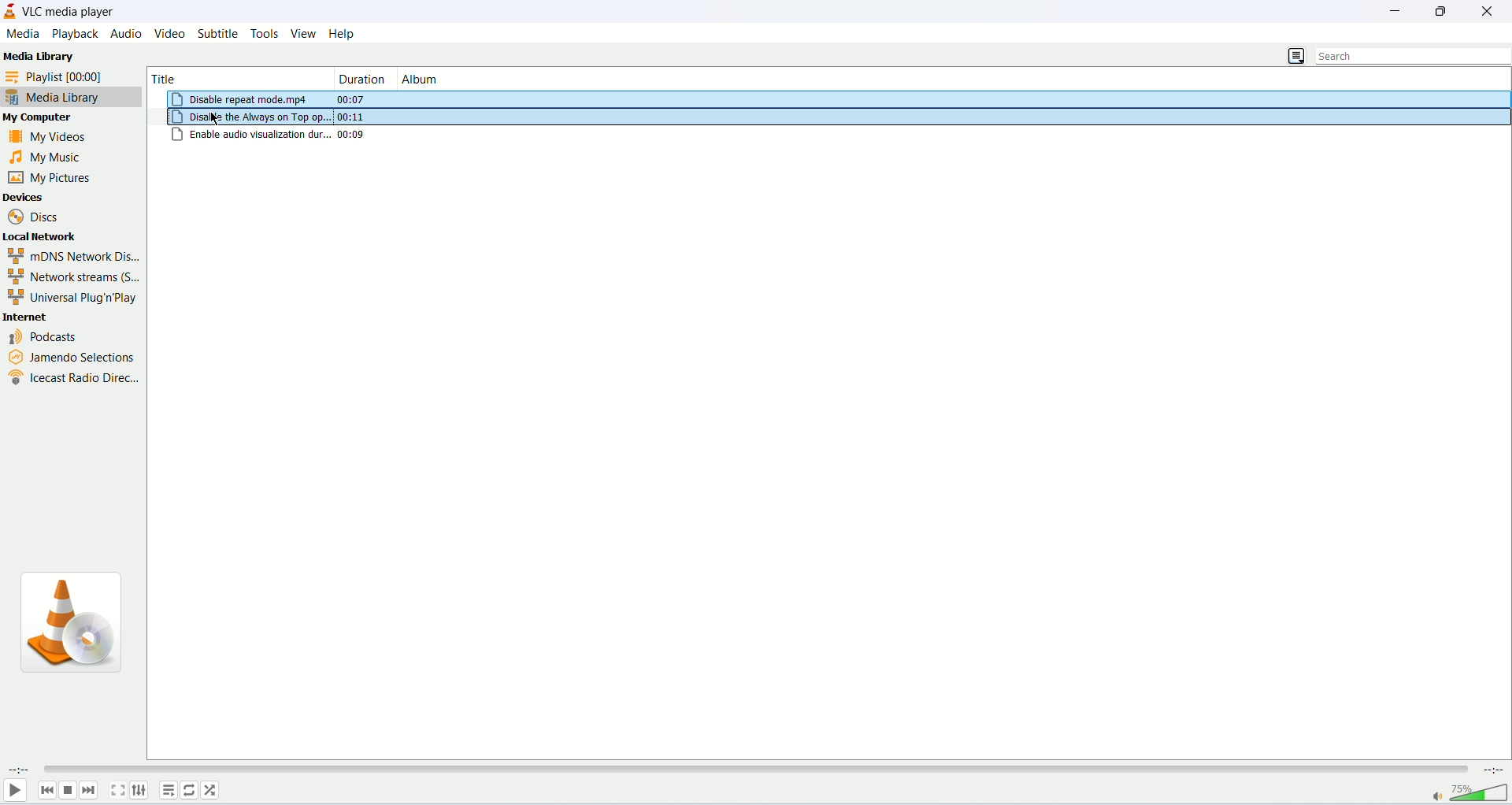 This screenshot has height=805, width=1512. Describe the element at coordinates (753, 770) in the screenshot. I see `progress bar` at that location.